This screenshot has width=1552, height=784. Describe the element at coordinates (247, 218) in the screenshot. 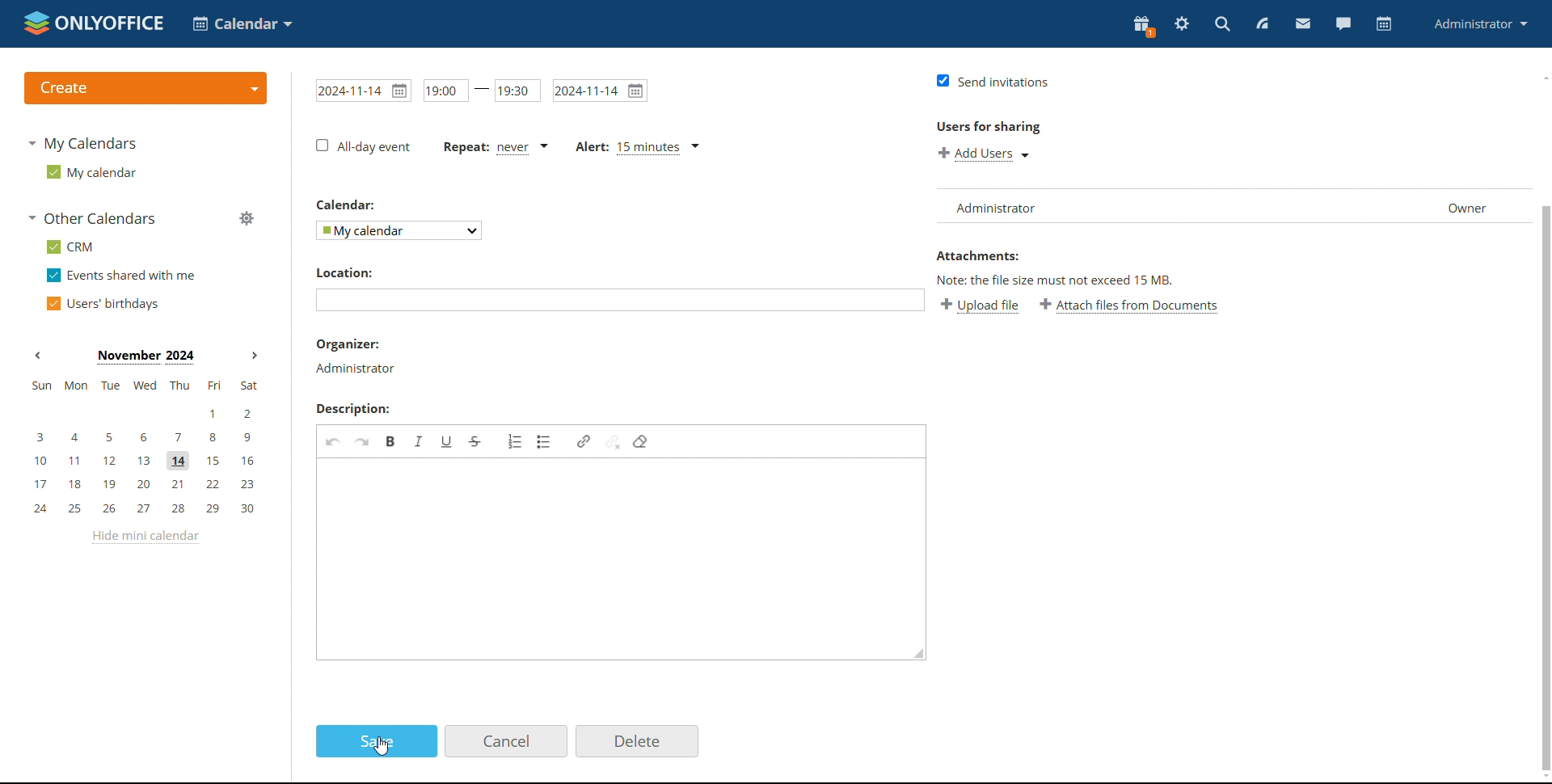

I see `manage` at that location.